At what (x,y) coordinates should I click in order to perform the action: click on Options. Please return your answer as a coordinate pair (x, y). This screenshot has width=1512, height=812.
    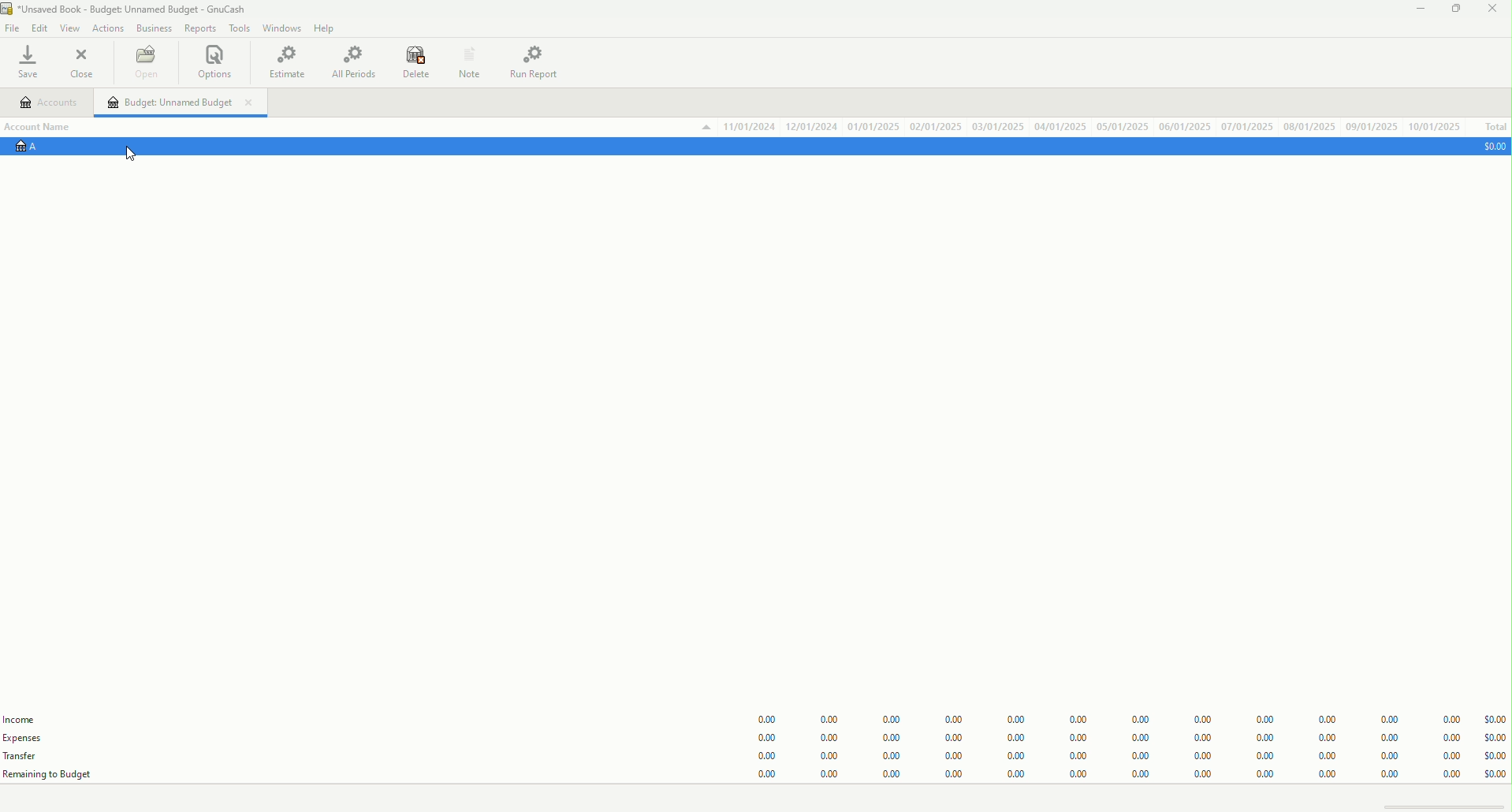
    Looking at the image, I should click on (216, 61).